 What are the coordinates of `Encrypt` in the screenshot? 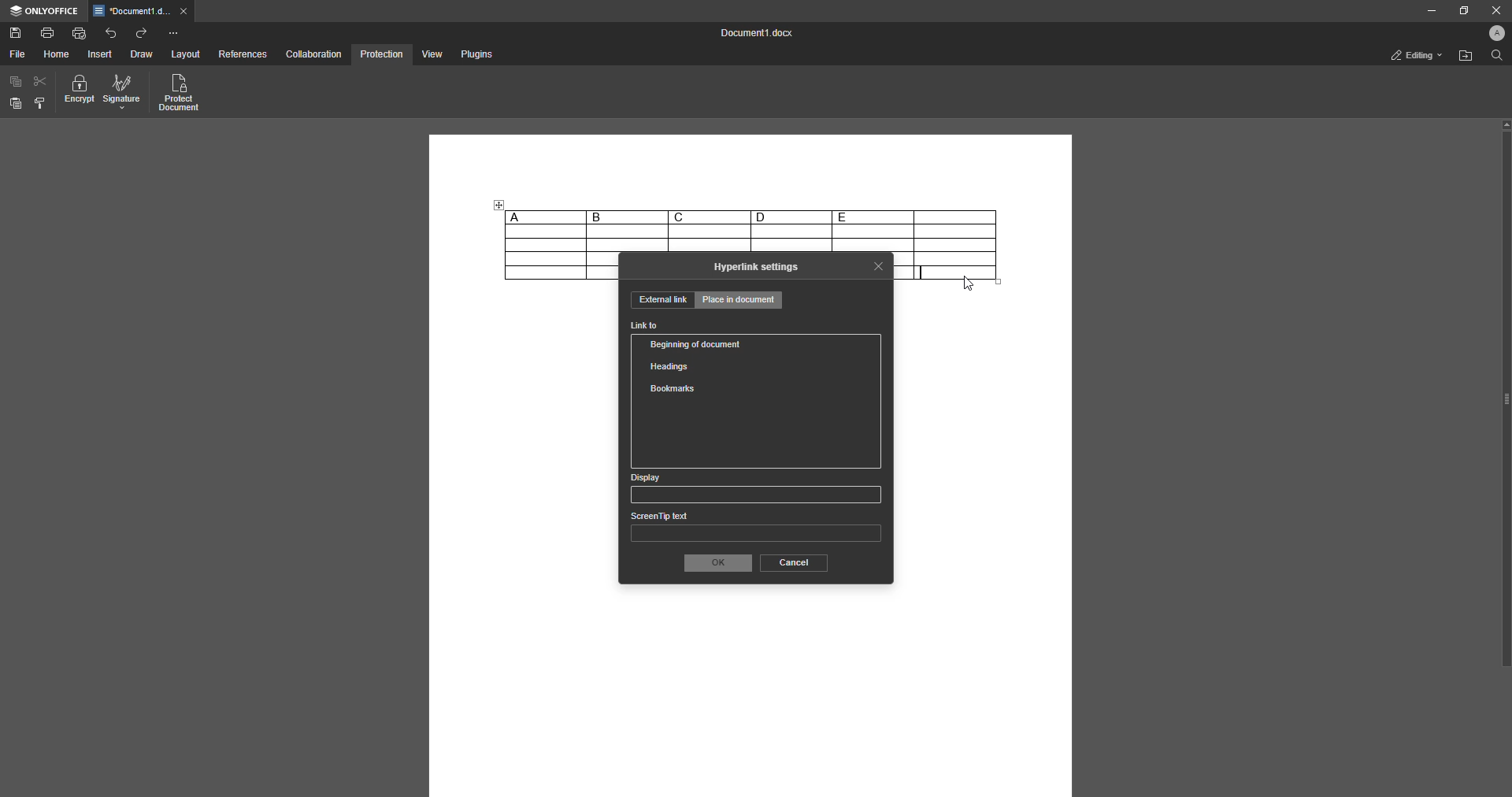 It's located at (80, 92).